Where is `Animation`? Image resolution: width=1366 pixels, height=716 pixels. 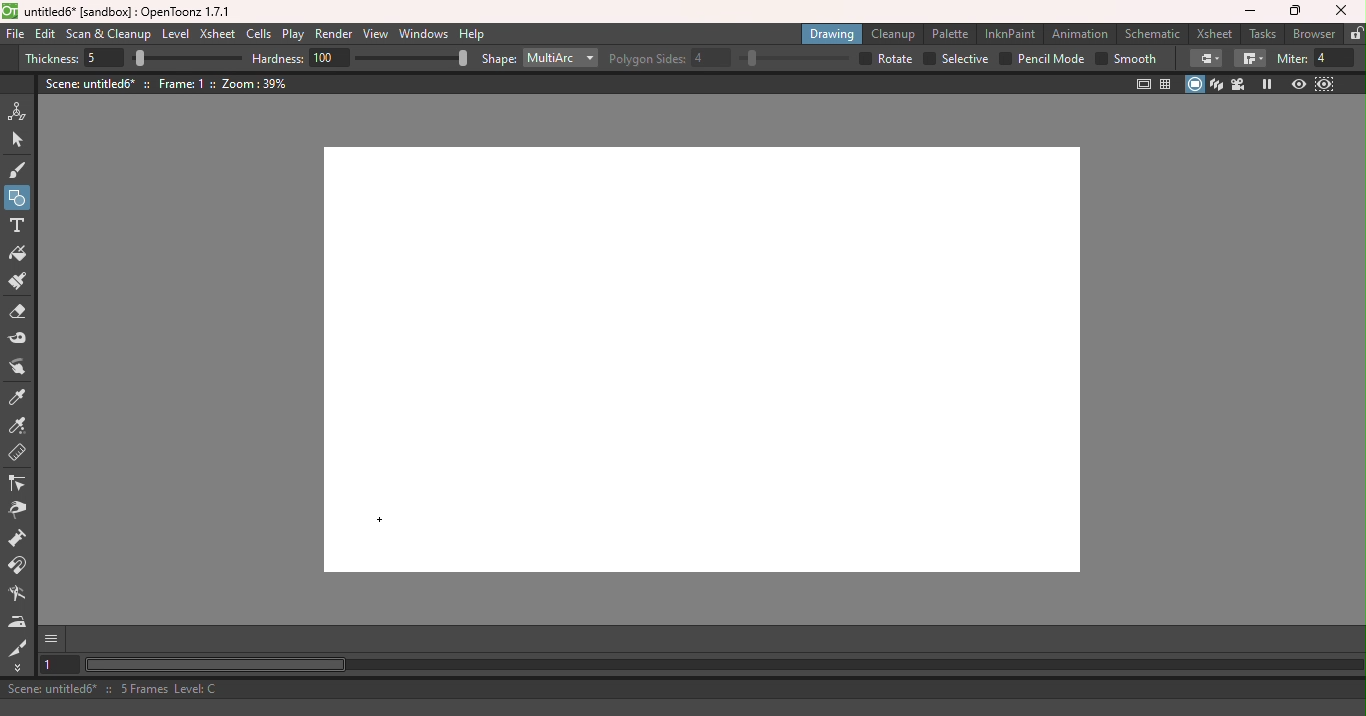 Animation is located at coordinates (1080, 32).